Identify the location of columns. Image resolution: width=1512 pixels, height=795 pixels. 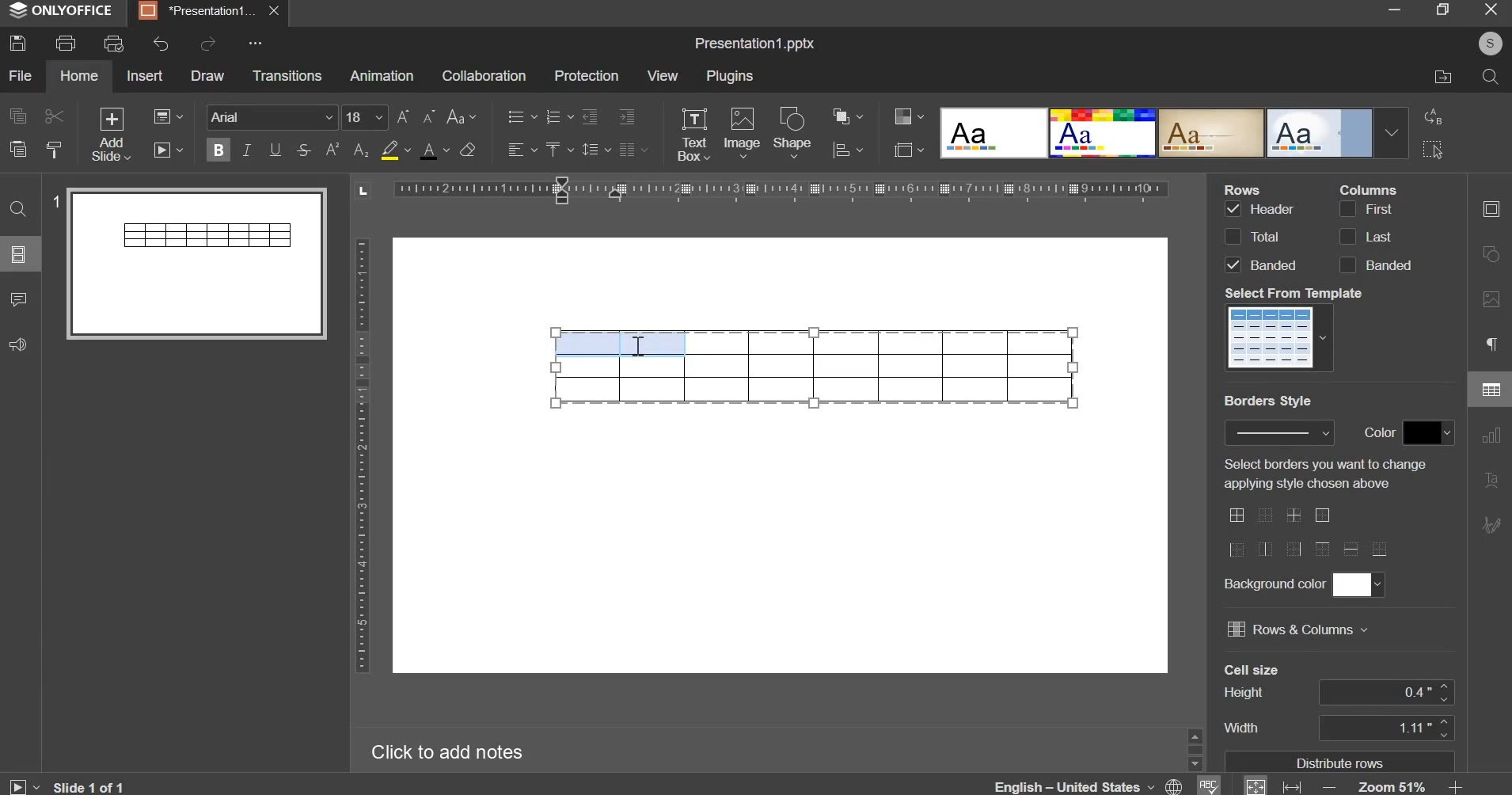
(1373, 236).